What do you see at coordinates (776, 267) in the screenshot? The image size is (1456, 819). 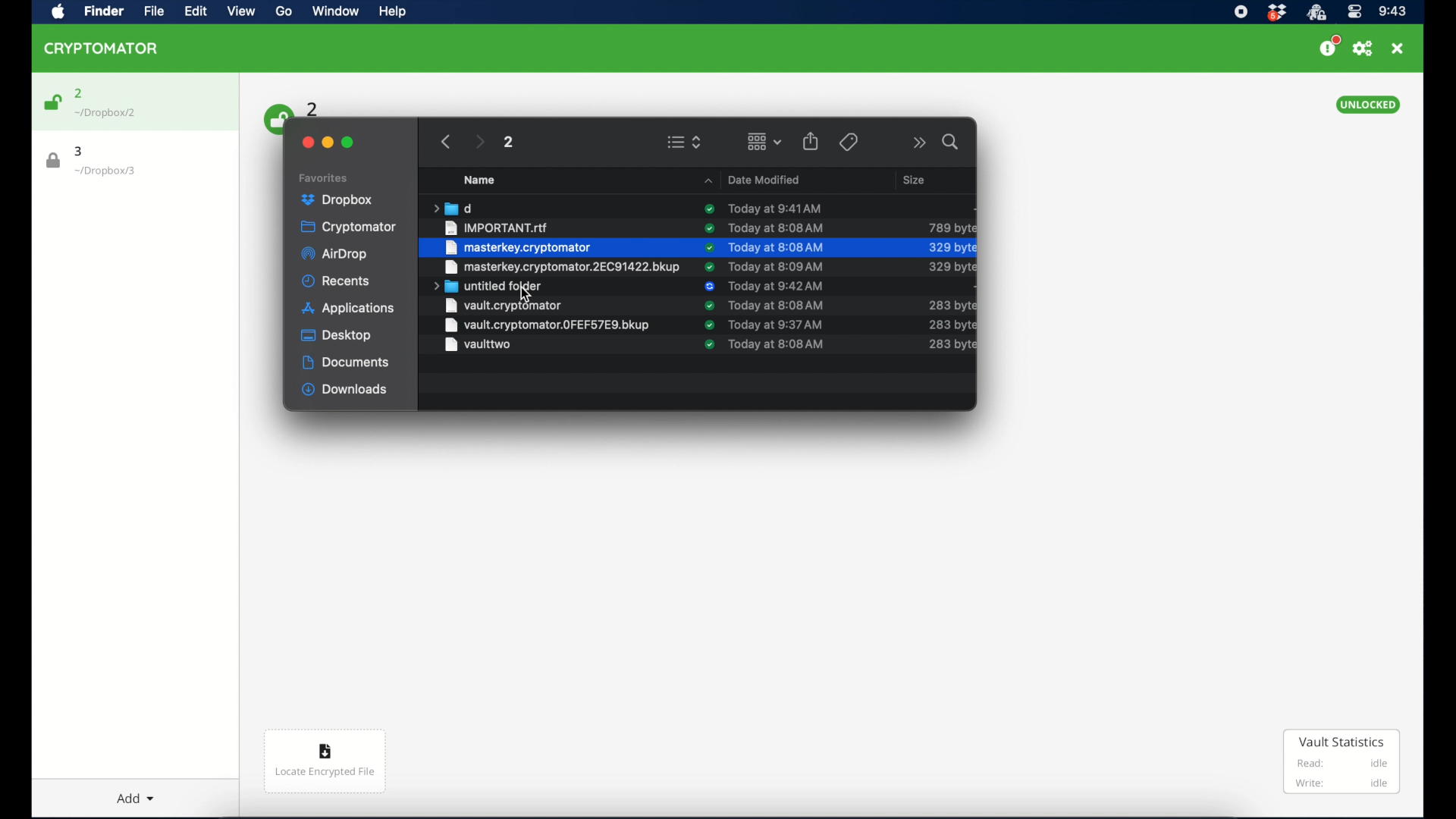 I see `` at bounding box center [776, 267].